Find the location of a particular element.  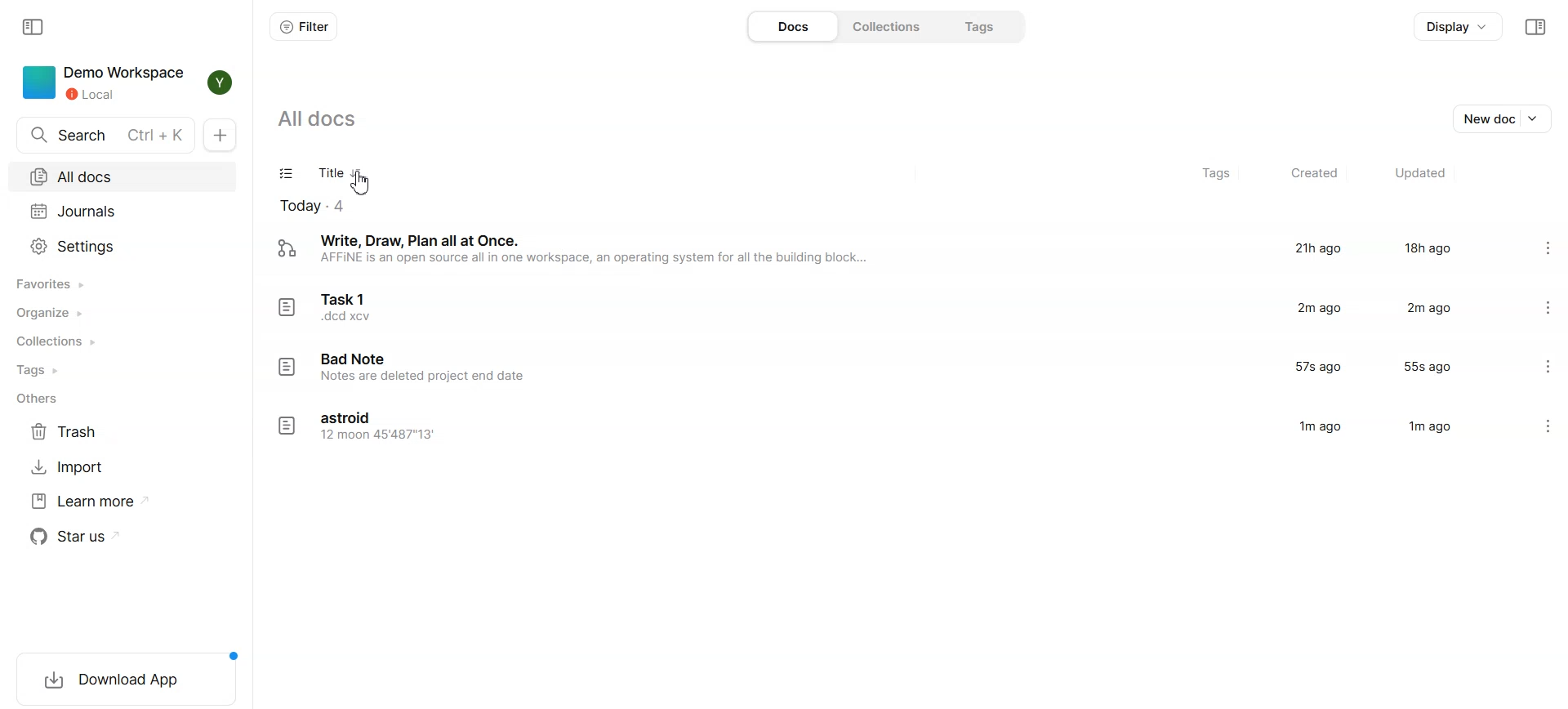

Download App is located at coordinates (129, 676).